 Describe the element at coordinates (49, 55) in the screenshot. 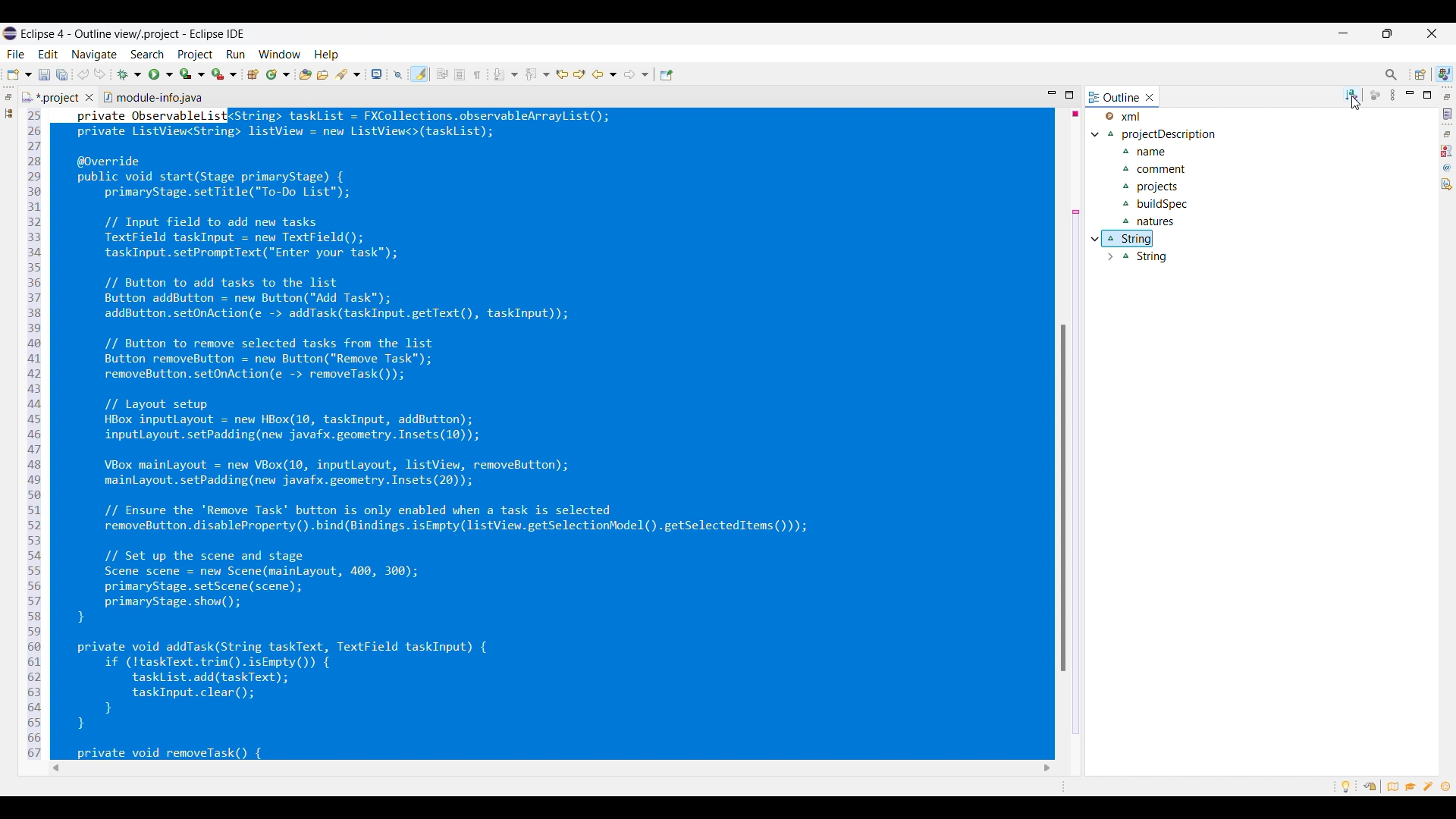

I see `Edit menu` at that location.